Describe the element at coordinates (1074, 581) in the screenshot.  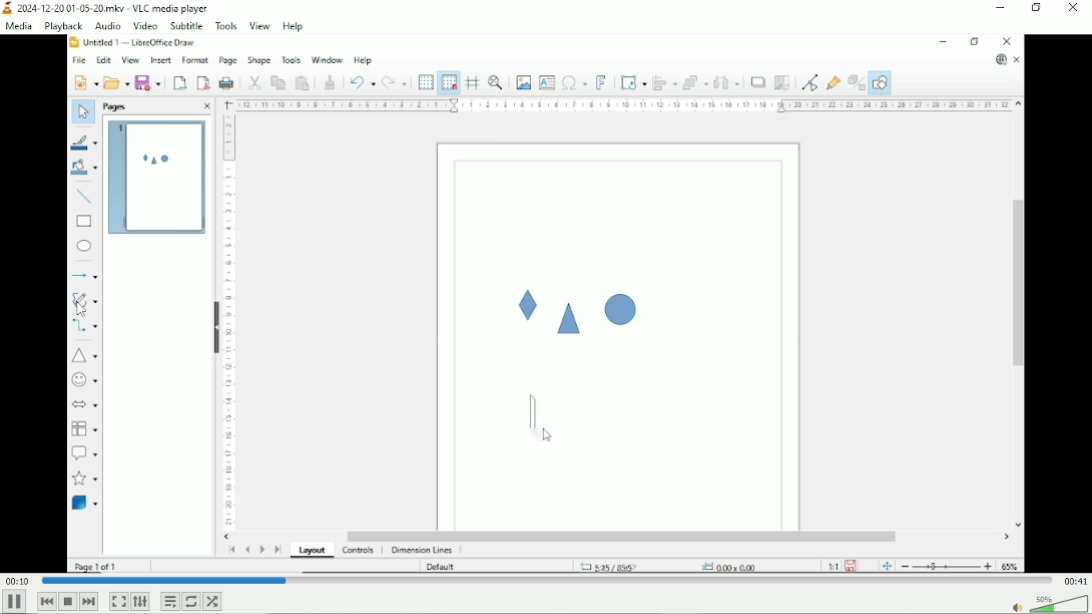
I see `Total duration` at that location.